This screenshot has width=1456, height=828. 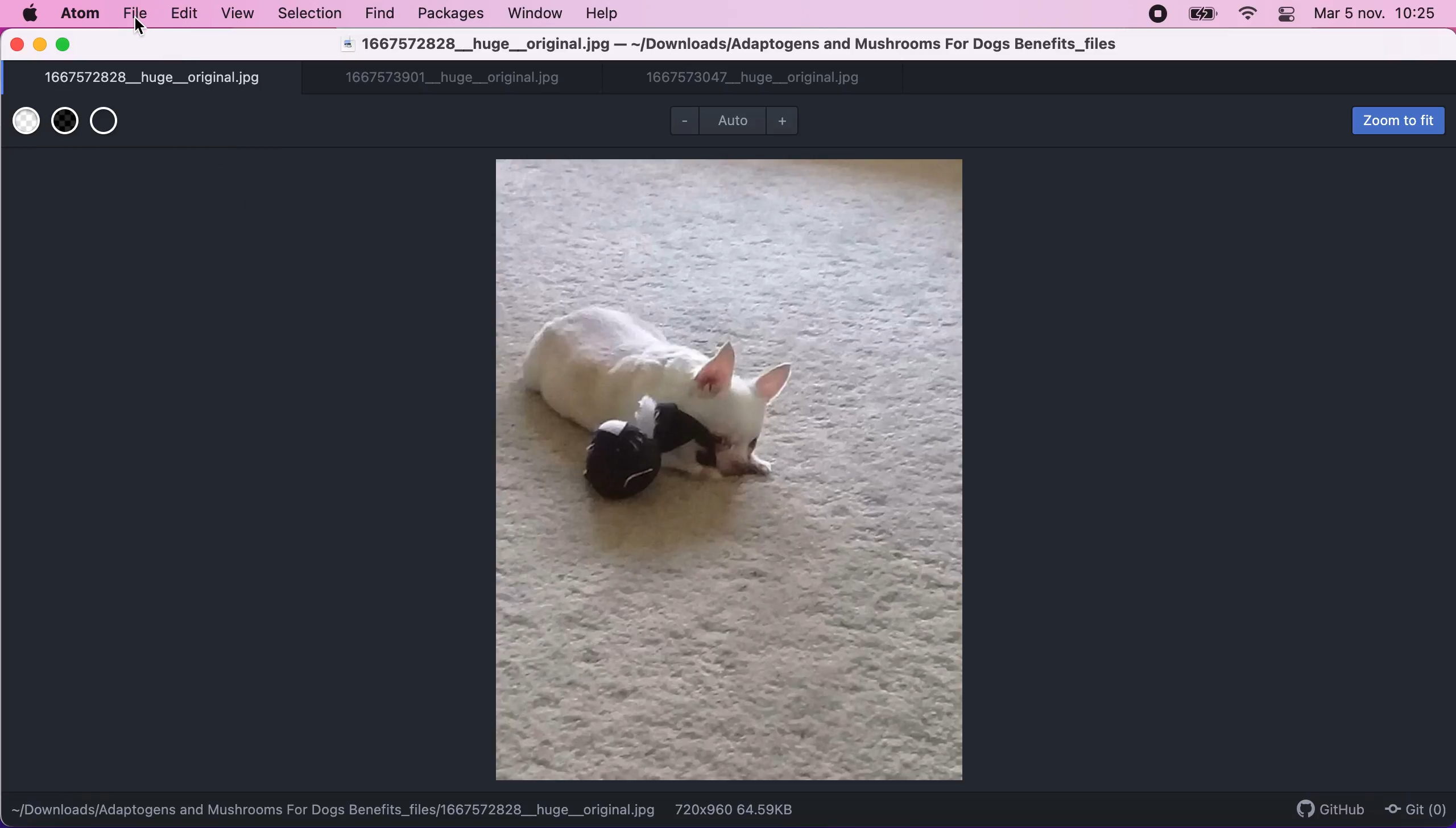 What do you see at coordinates (534, 14) in the screenshot?
I see `window` at bounding box center [534, 14].